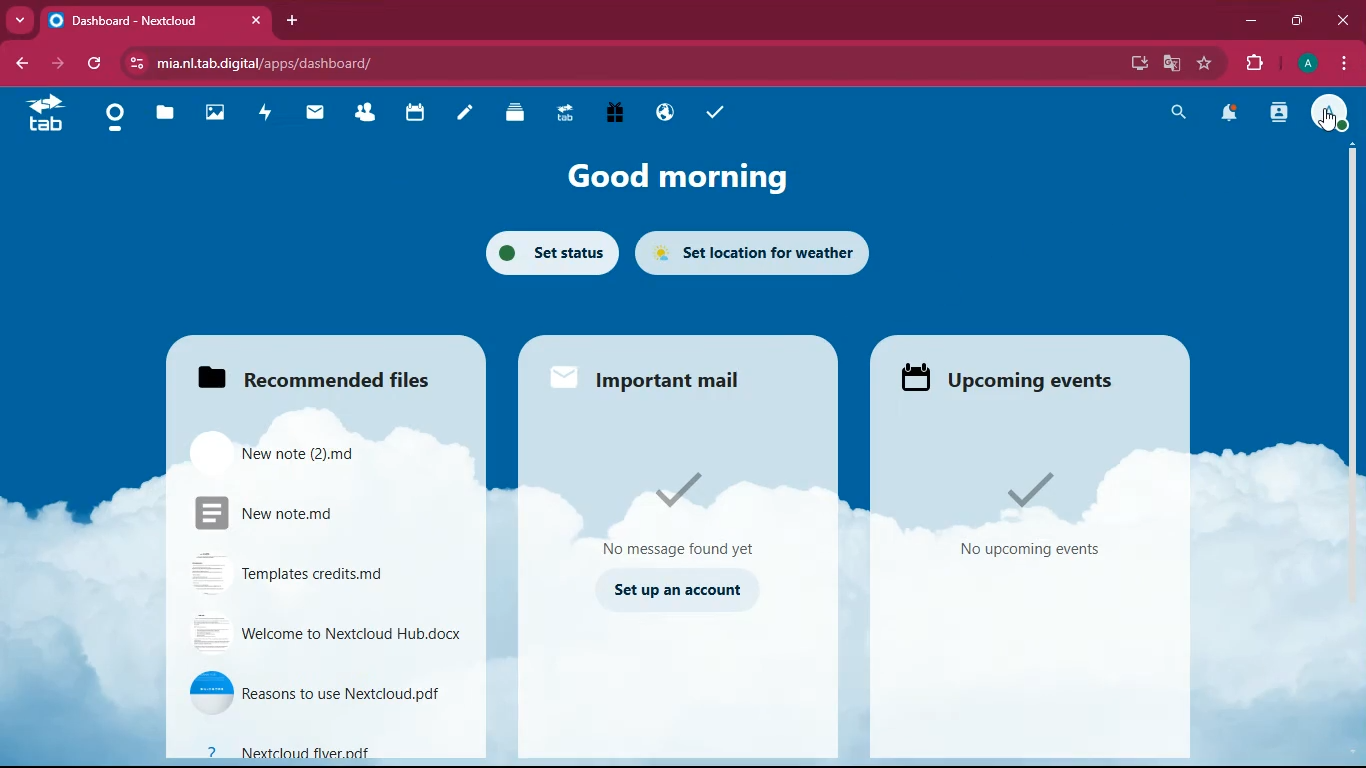 Image resolution: width=1366 pixels, height=768 pixels. What do you see at coordinates (219, 111) in the screenshot?
I see `images` at bounding box center [219, 111].